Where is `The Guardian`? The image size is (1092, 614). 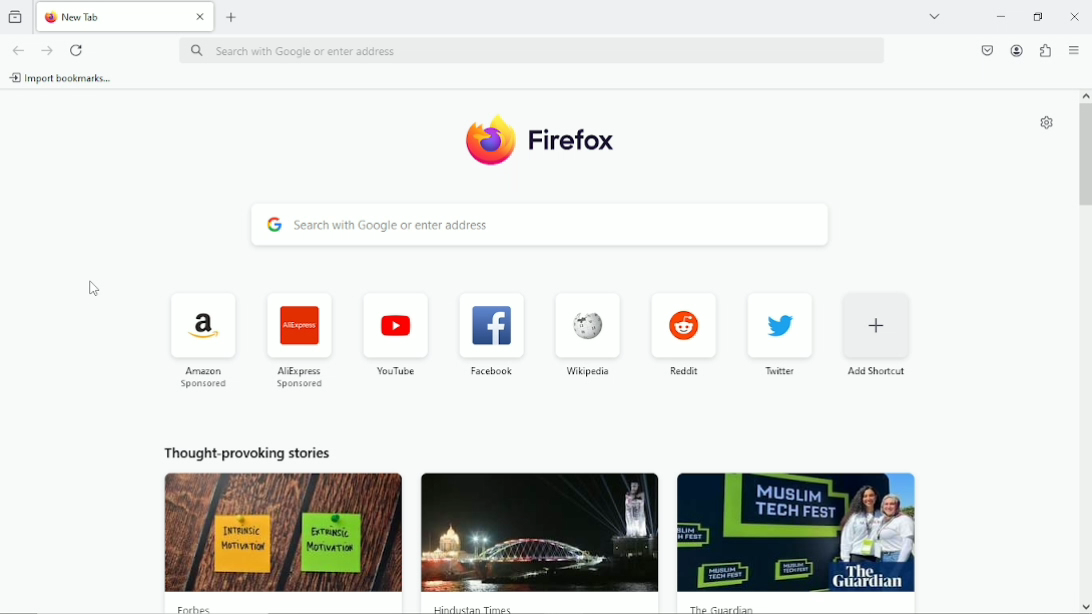 The Guardian is located at coordinates (720, 608).